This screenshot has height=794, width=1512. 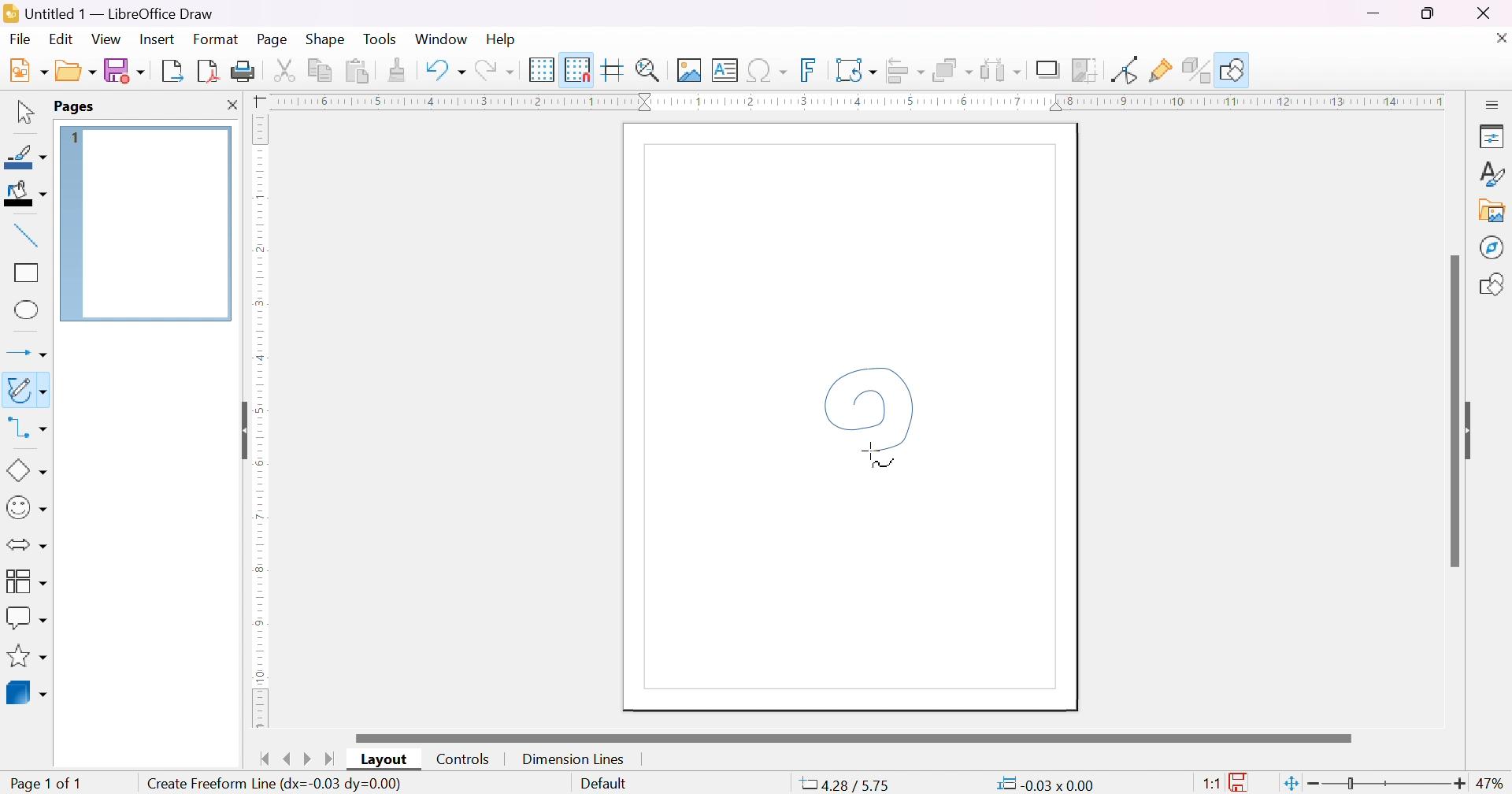 What do you see at coordinates (572, 759) in the screenshot?
I see `dimension lines` at bounding box center [572, 759].